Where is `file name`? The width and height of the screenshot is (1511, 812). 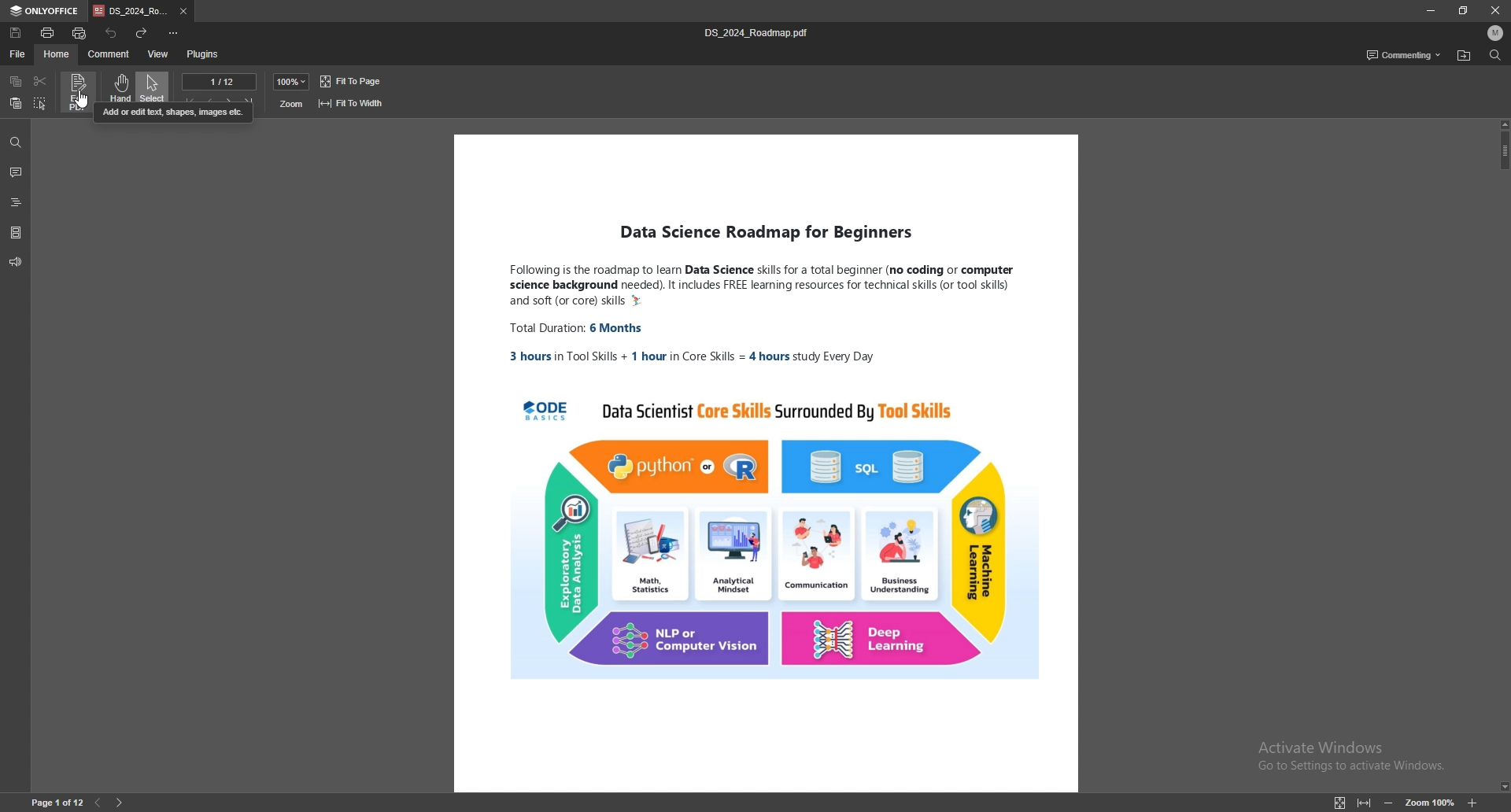 file name is located at coordinates (760, 32).